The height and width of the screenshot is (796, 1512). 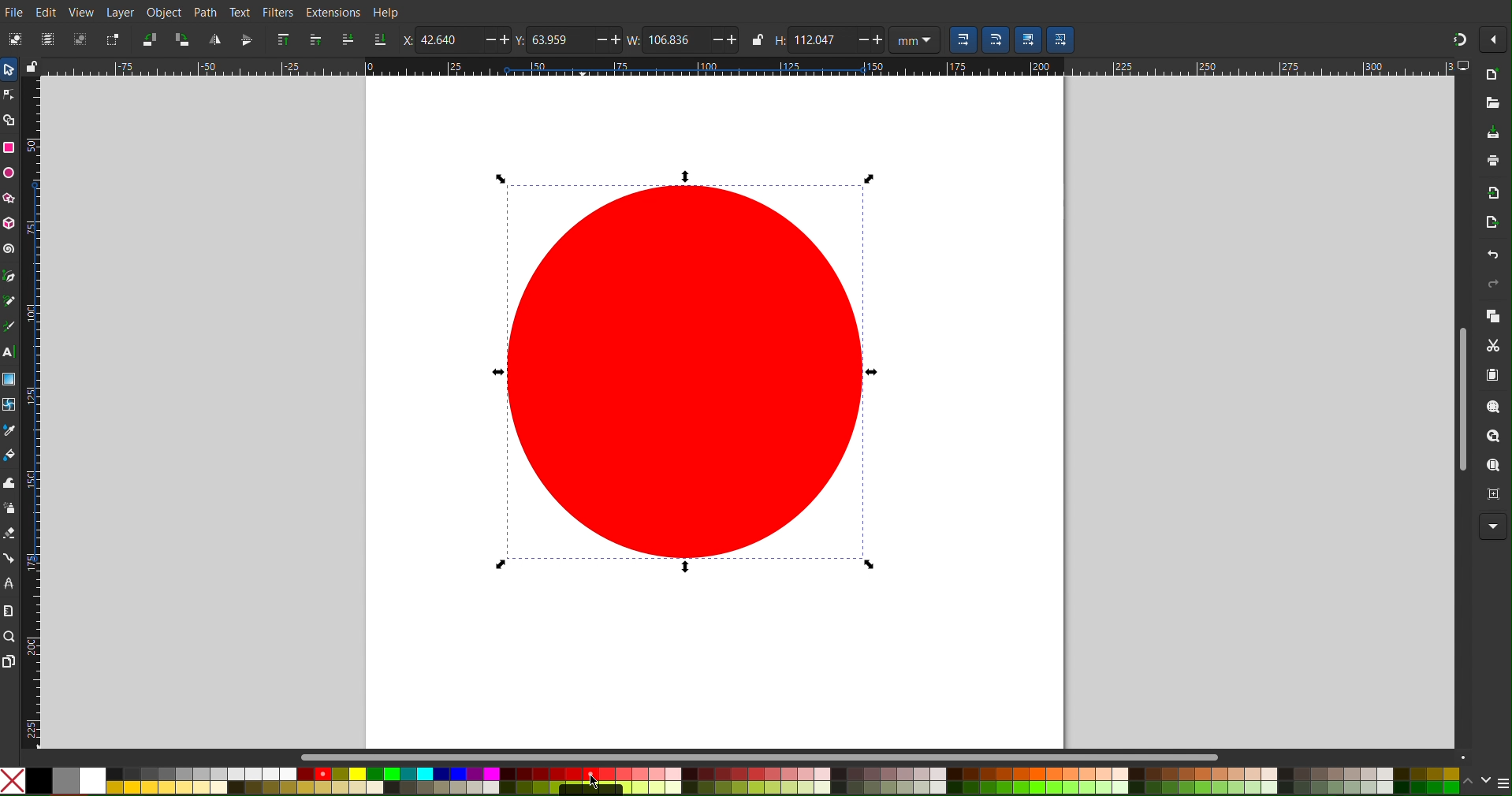 I want to click on Zoom Page, so click(x=1492, y=467).